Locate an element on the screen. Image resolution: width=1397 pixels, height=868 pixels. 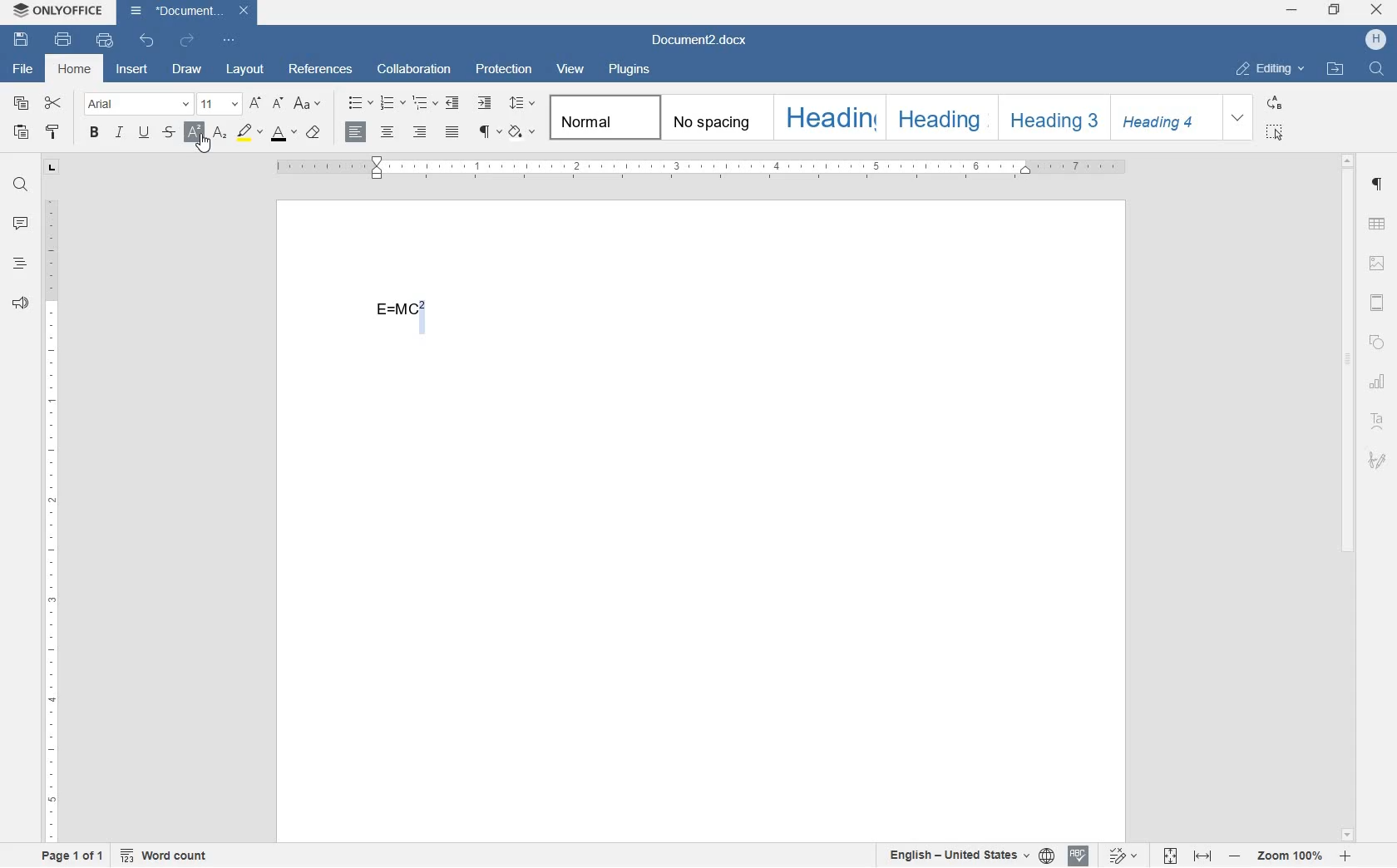
font color is located at coordinates (285, 133).